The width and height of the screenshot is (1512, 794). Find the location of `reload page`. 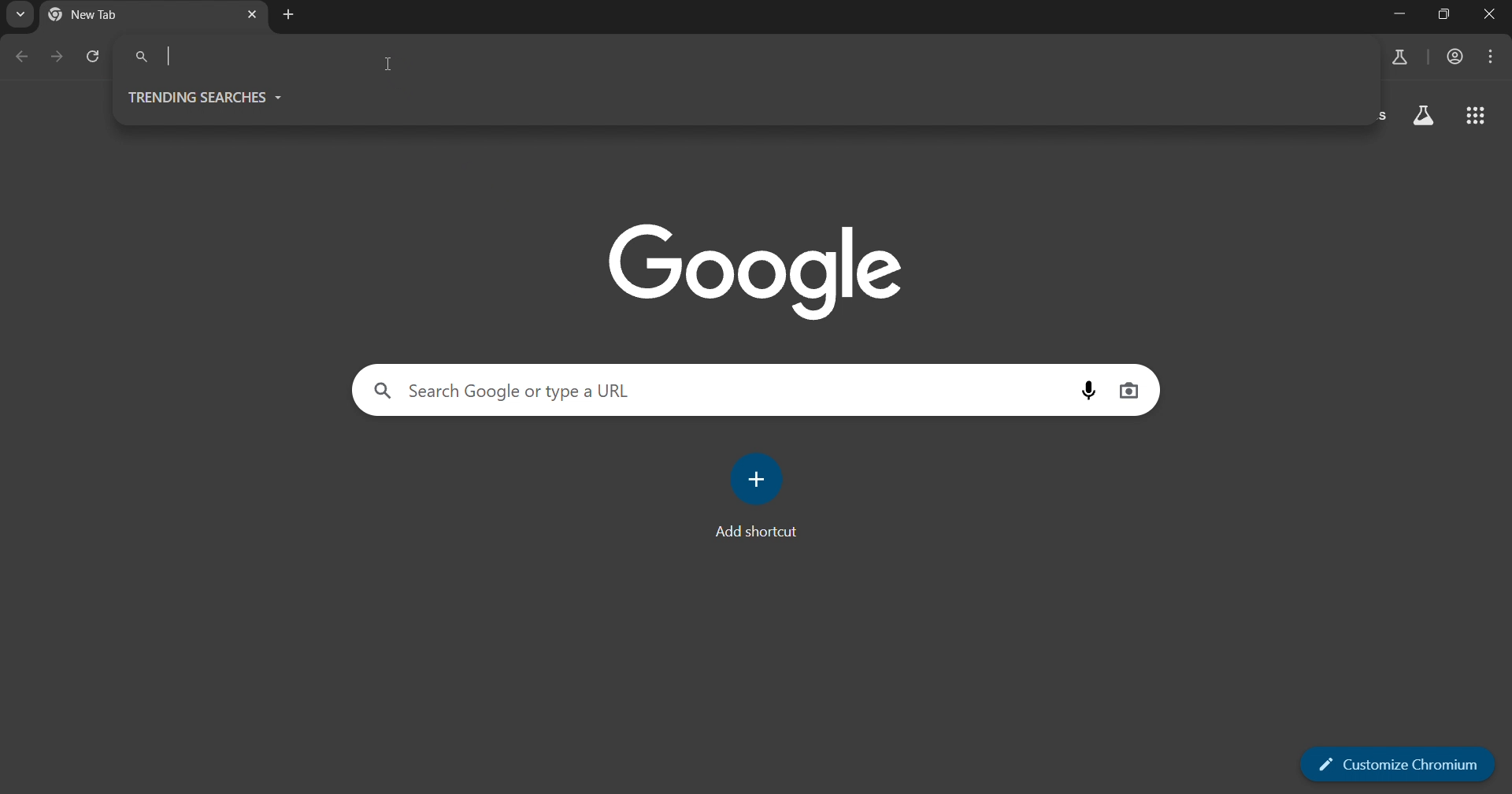

reload page is located at coordinates (92, 59).